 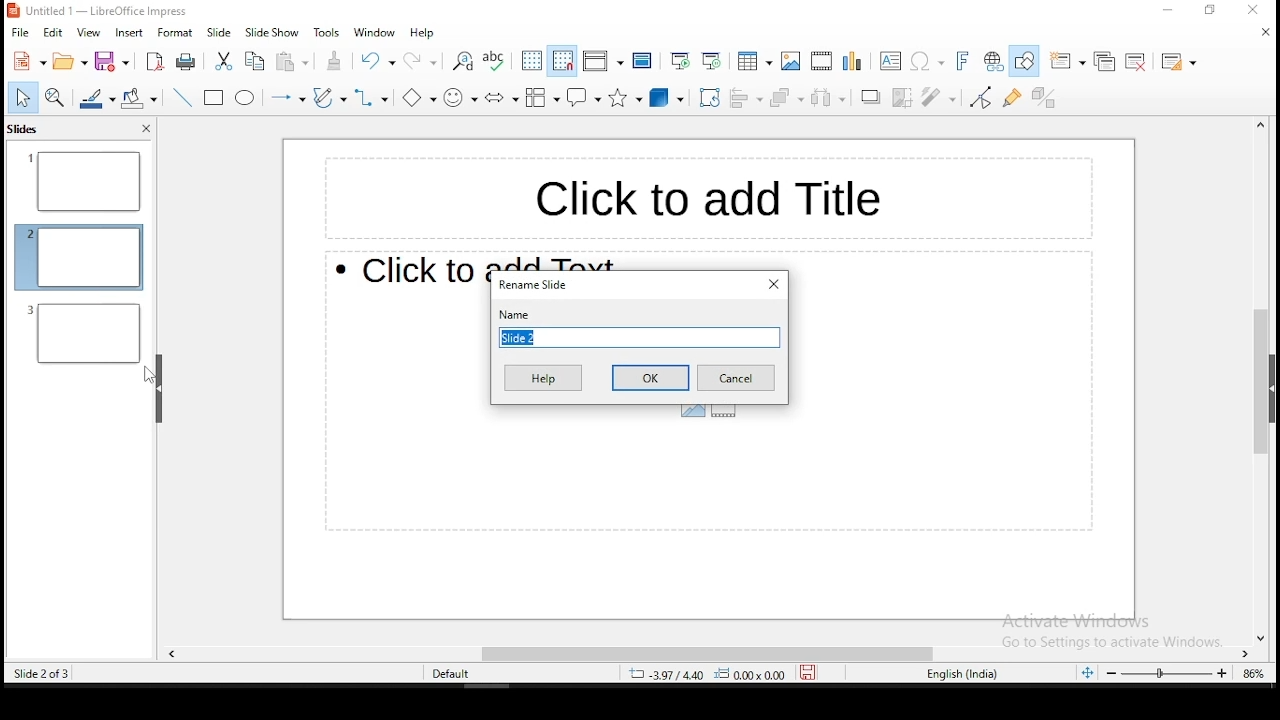 I want to click on tools, so click(x=325, y=32).